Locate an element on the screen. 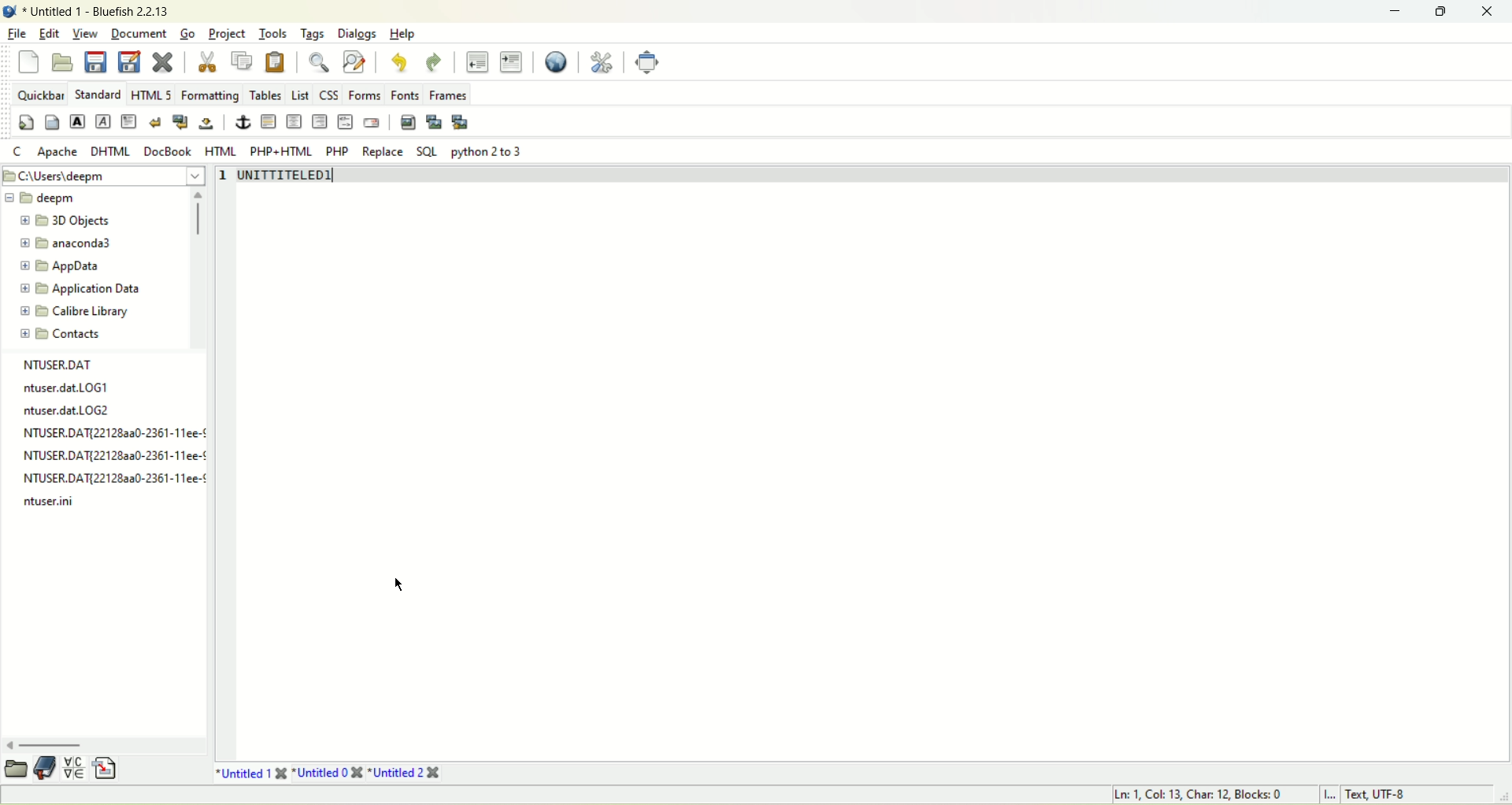 The image size is (1512, 805). DHTML is located at coordinates (109, 153).